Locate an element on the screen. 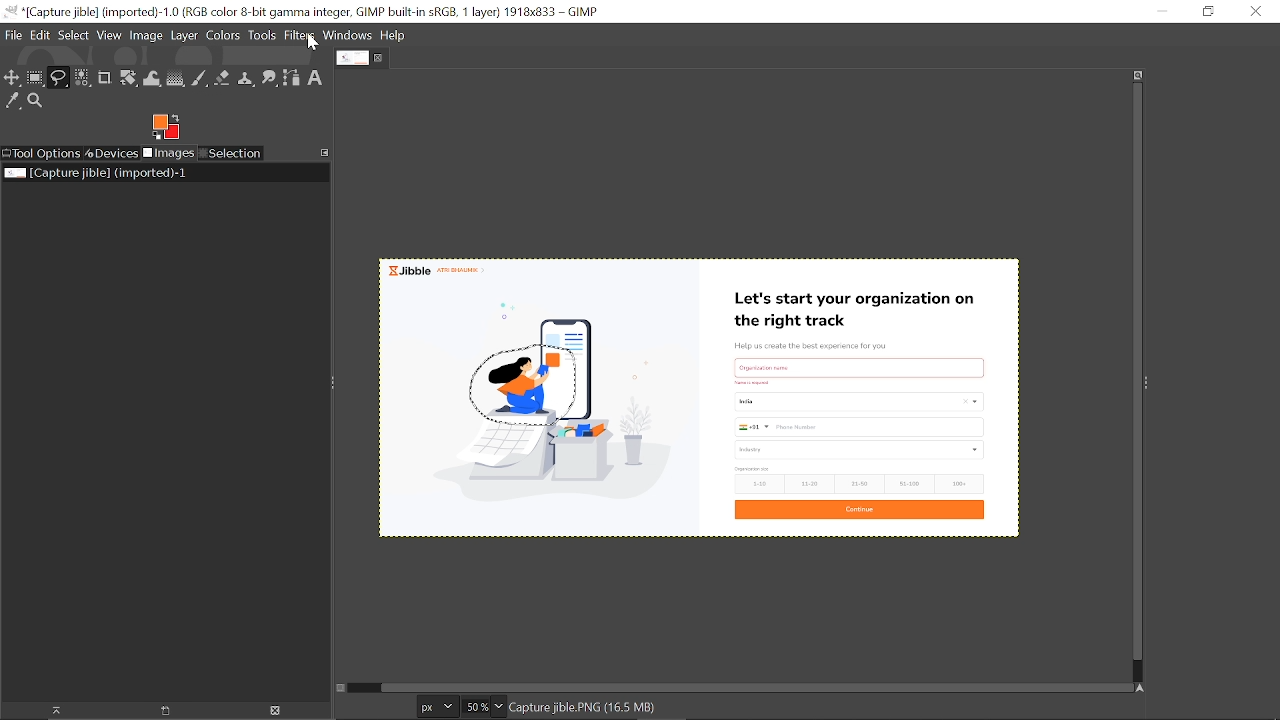 This screenshot has height=720, width=1280. Close tab is located at coordinates (381, 58).